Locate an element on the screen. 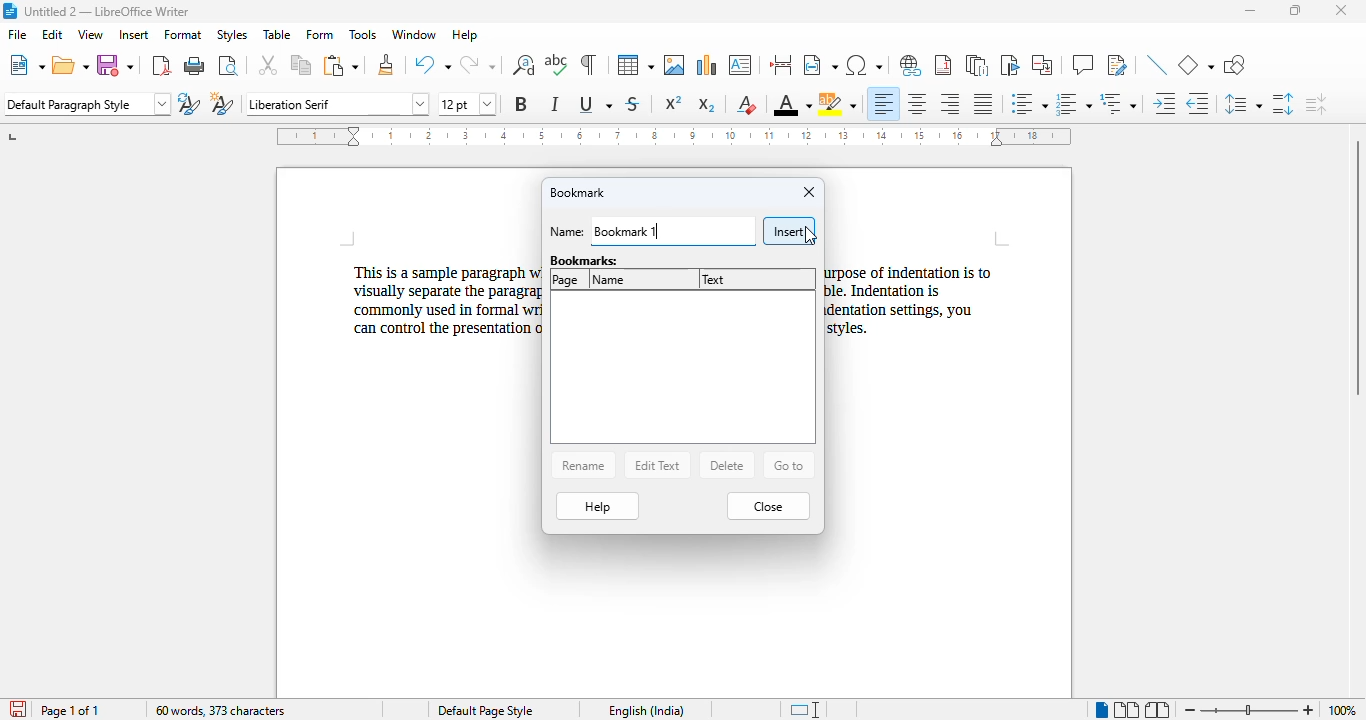 The image size is (1366, 720). page is located at coordinates (566, 280).